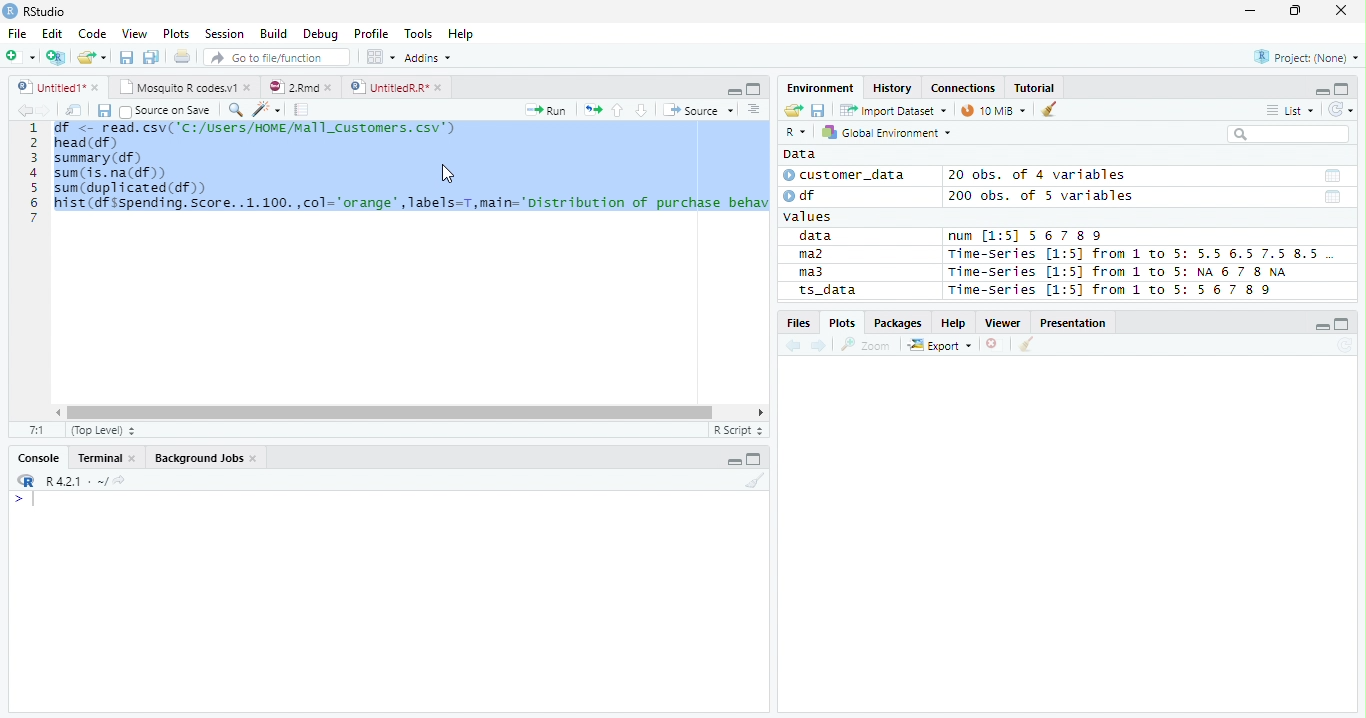 Image resolution: width=1366 pixels, height=718 pixels. Describe the element at coordinates (820, 347) in the screenshot. I see `Next` at that location.